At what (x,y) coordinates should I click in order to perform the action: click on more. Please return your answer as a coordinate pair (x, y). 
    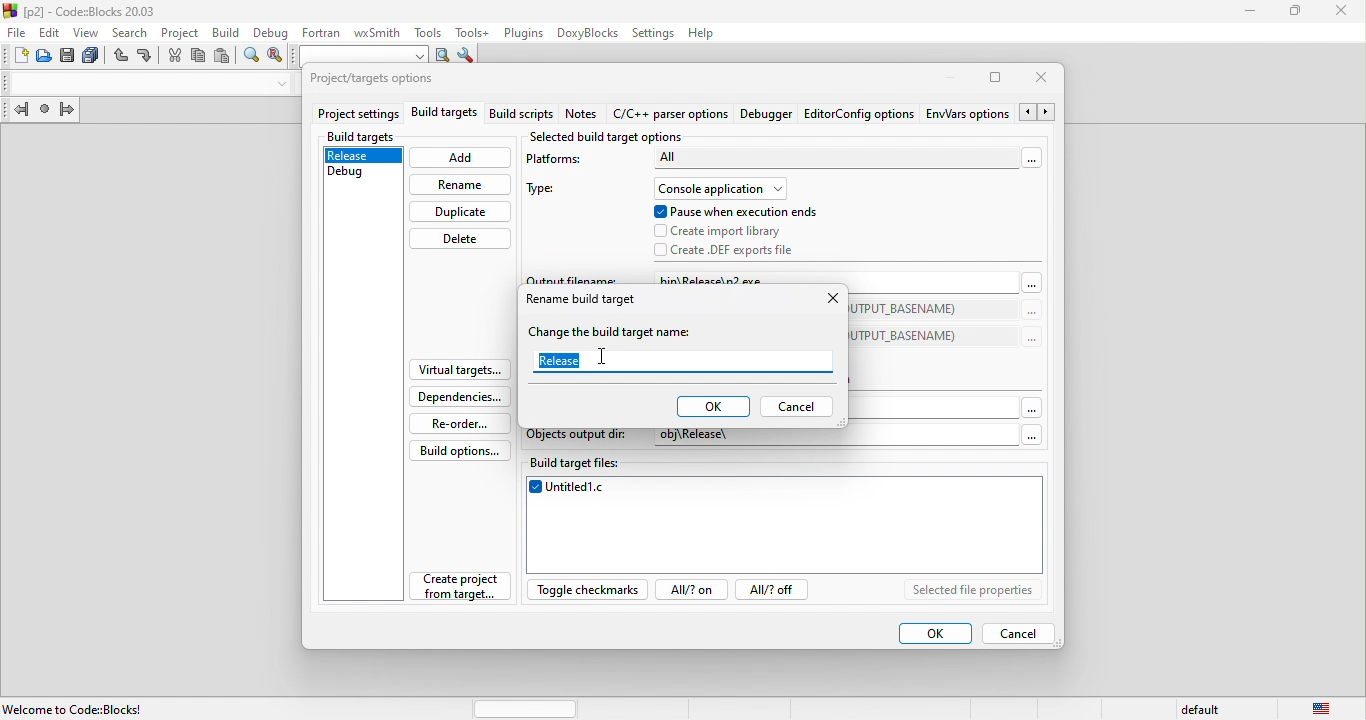
    Looking at the image, I should click on (1032, 282).